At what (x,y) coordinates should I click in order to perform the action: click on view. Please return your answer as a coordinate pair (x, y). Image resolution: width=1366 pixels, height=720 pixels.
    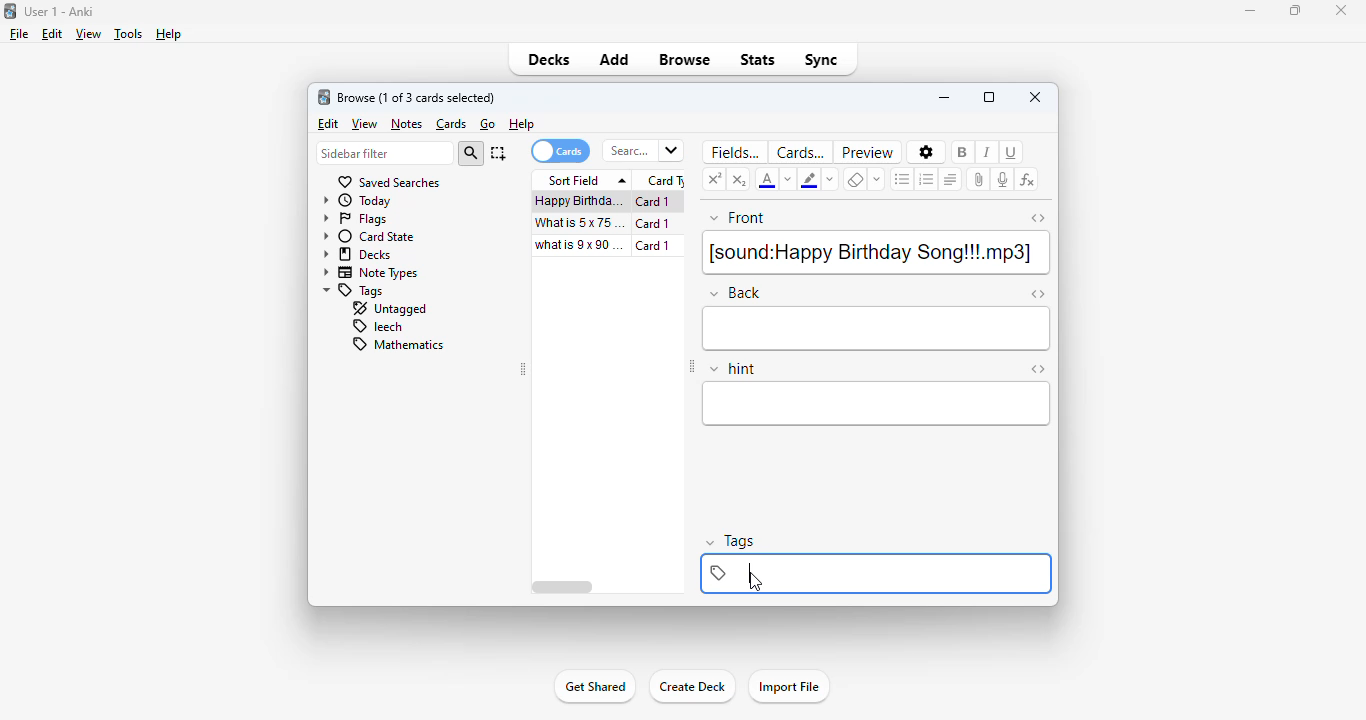
    Looking at the image, I should click on (89, 34).